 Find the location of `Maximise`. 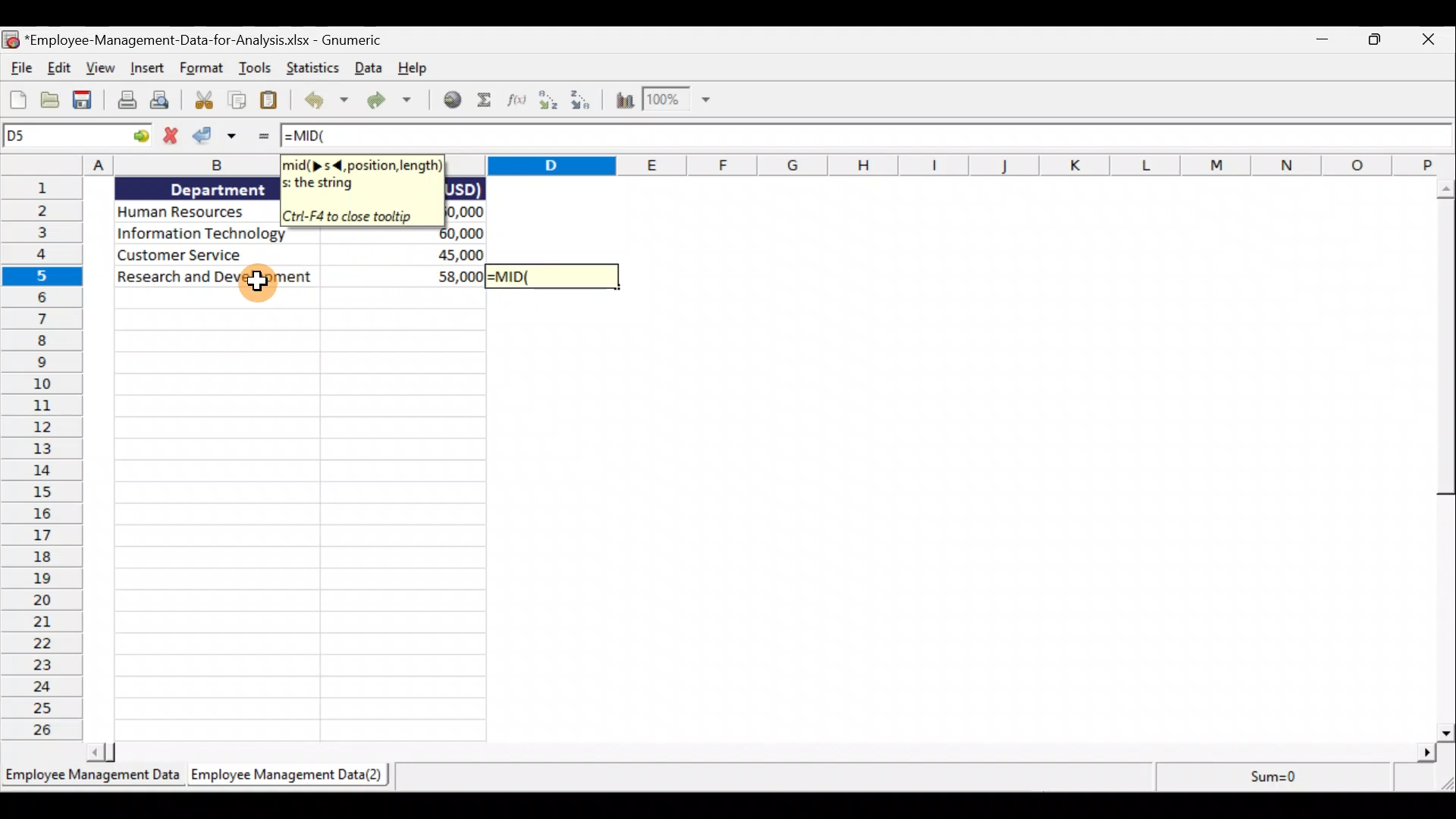

Maximise is located at coordinates (1381, 42).